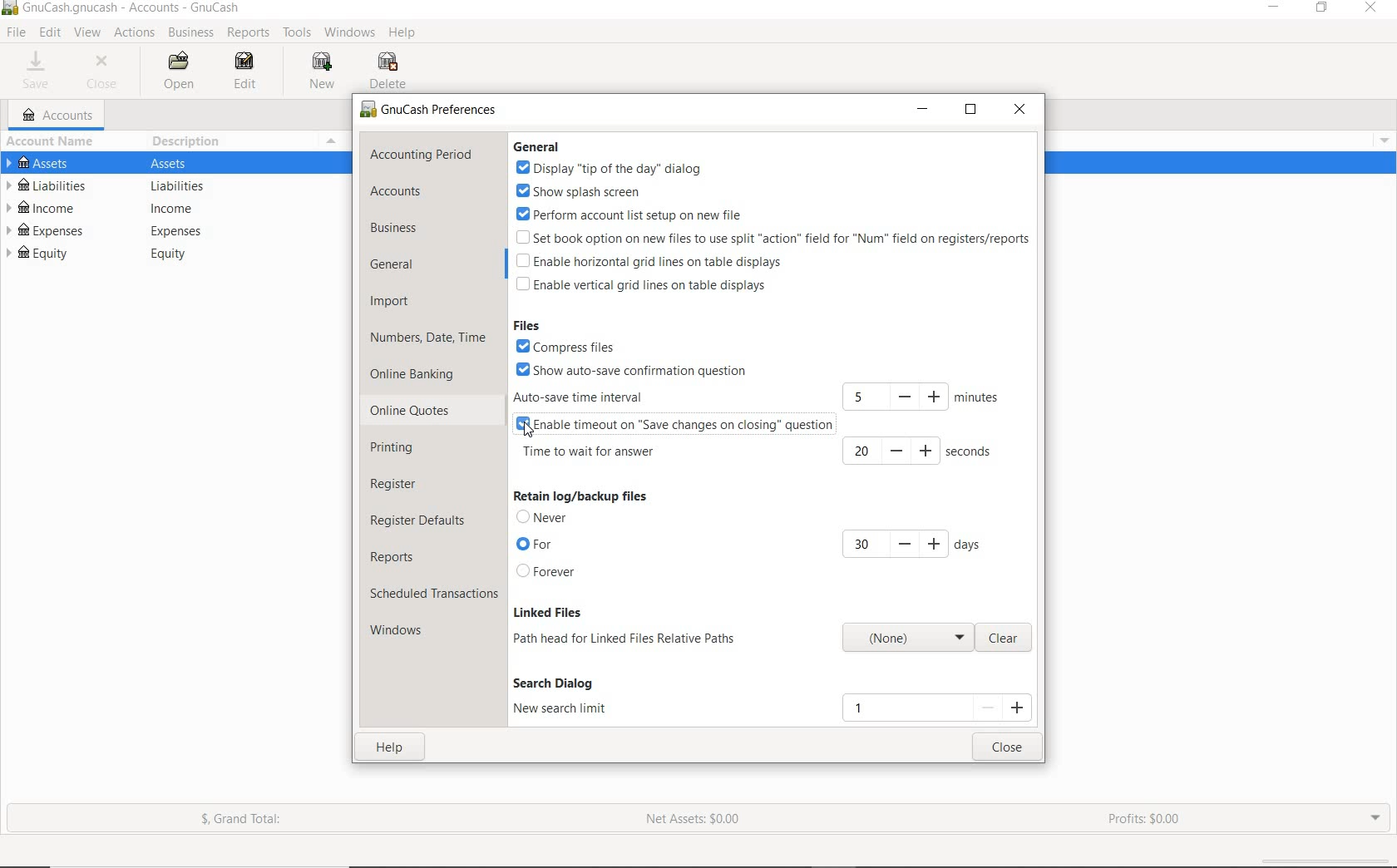  I want to click on ENABLE AUTOSAVE, so click(676, 425).